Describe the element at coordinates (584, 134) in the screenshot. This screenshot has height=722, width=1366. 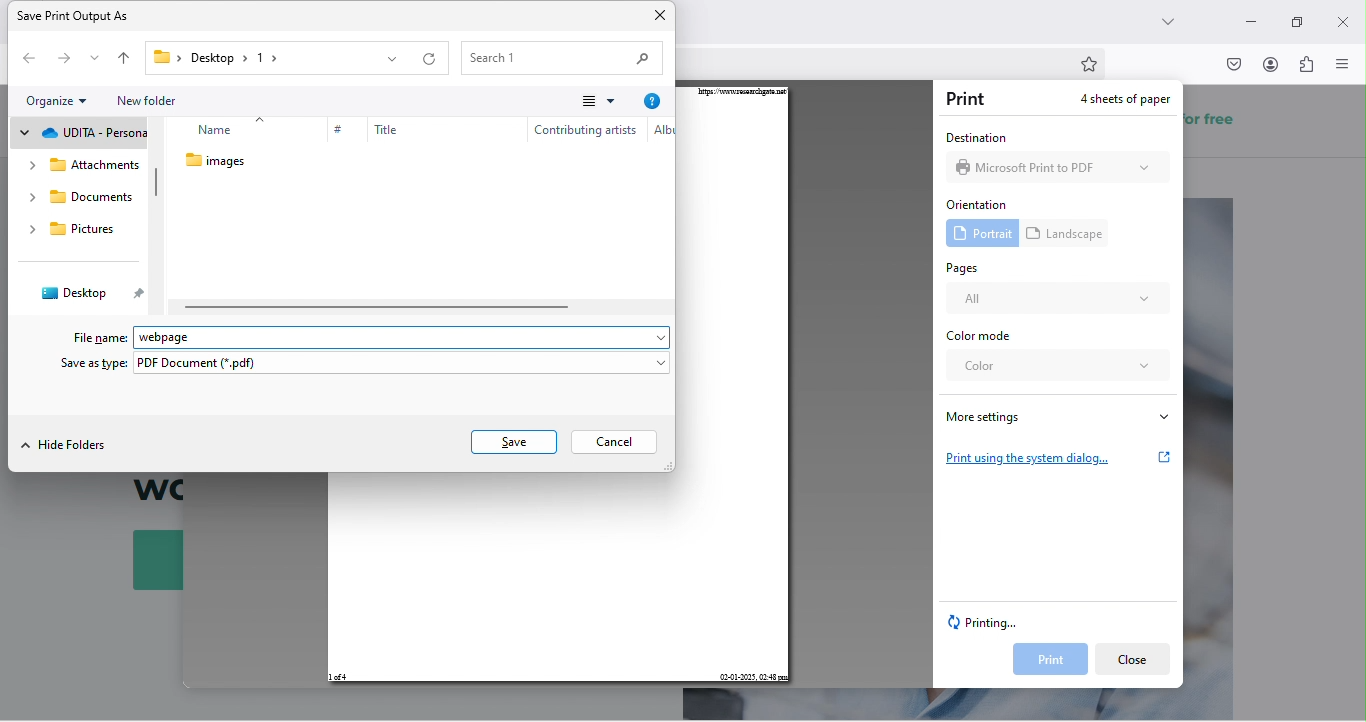
I see `contributing artists` at that location.